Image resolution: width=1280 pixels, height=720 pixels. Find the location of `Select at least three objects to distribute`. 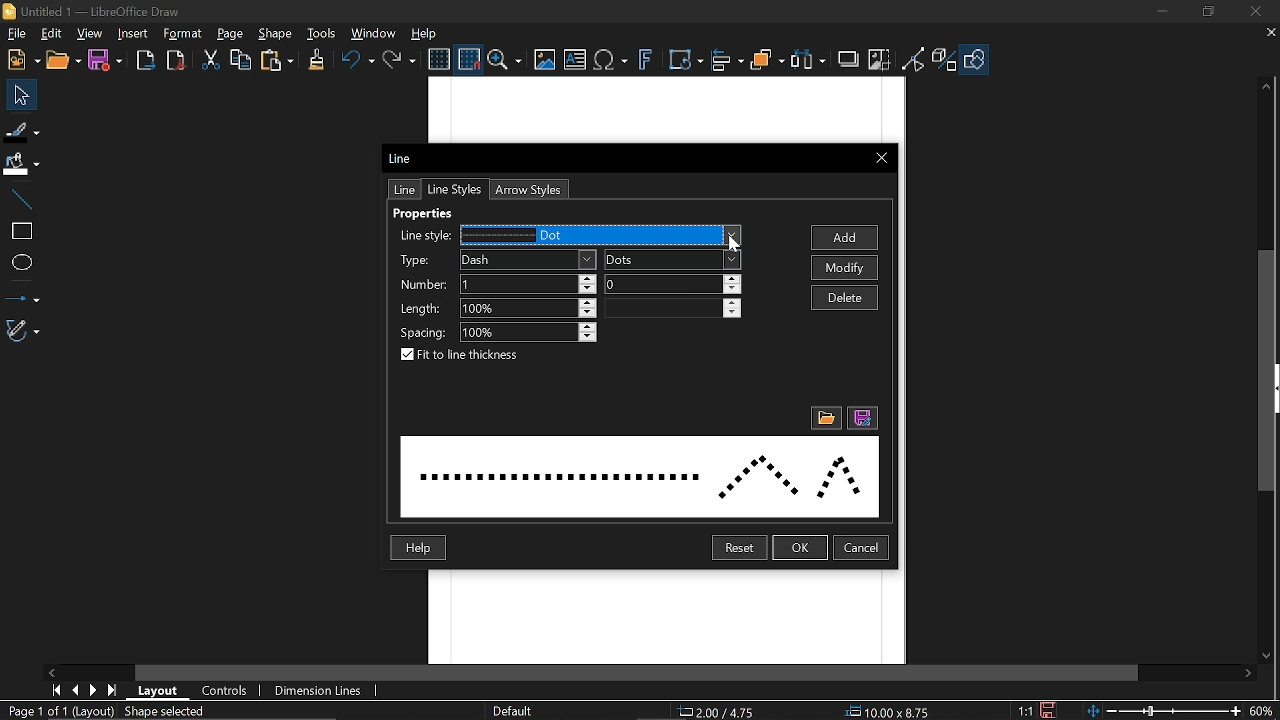

Select at least three objects to distribute is located at coordinates (809, 60).